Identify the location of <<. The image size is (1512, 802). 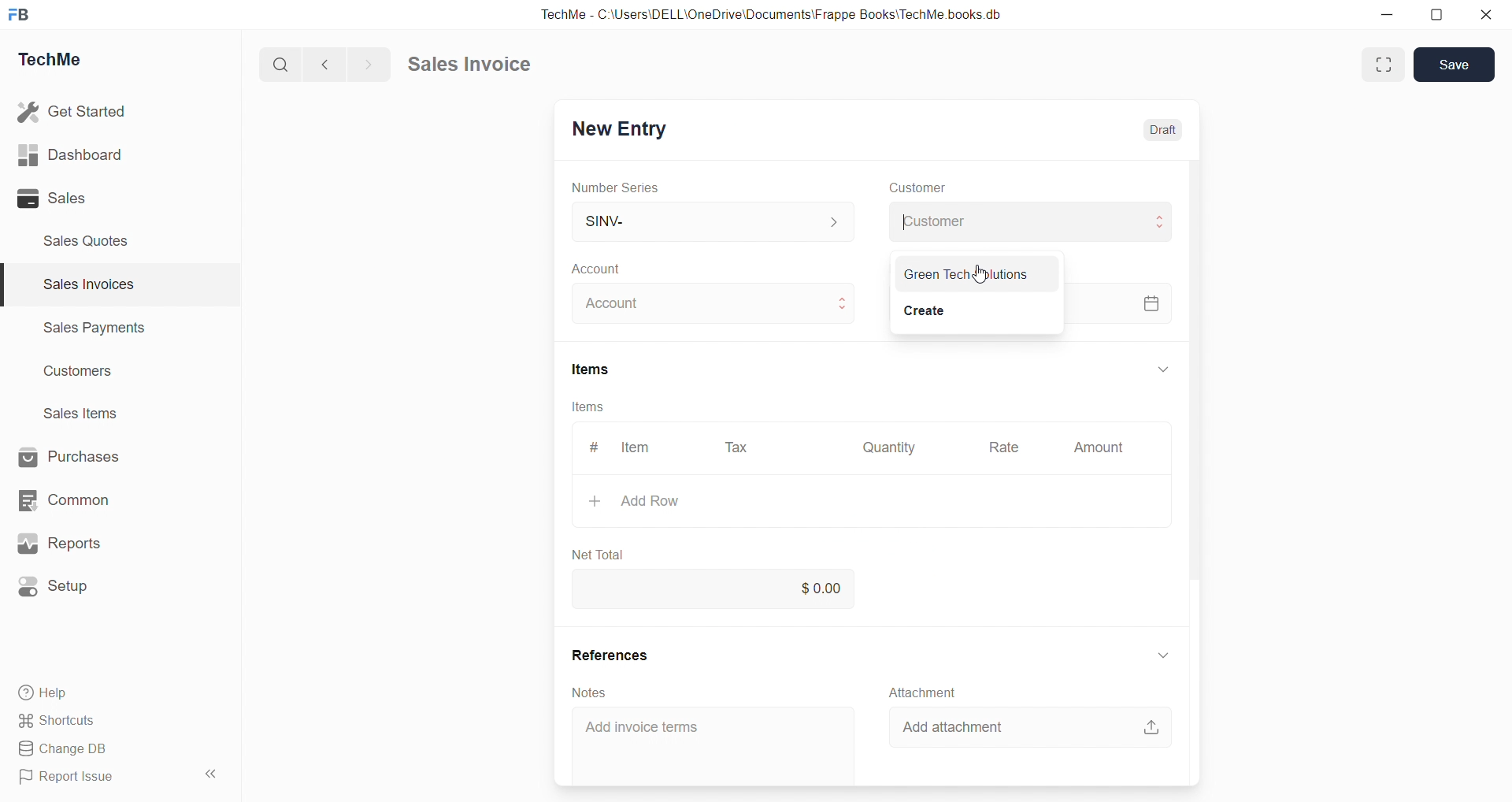
(209, 774).